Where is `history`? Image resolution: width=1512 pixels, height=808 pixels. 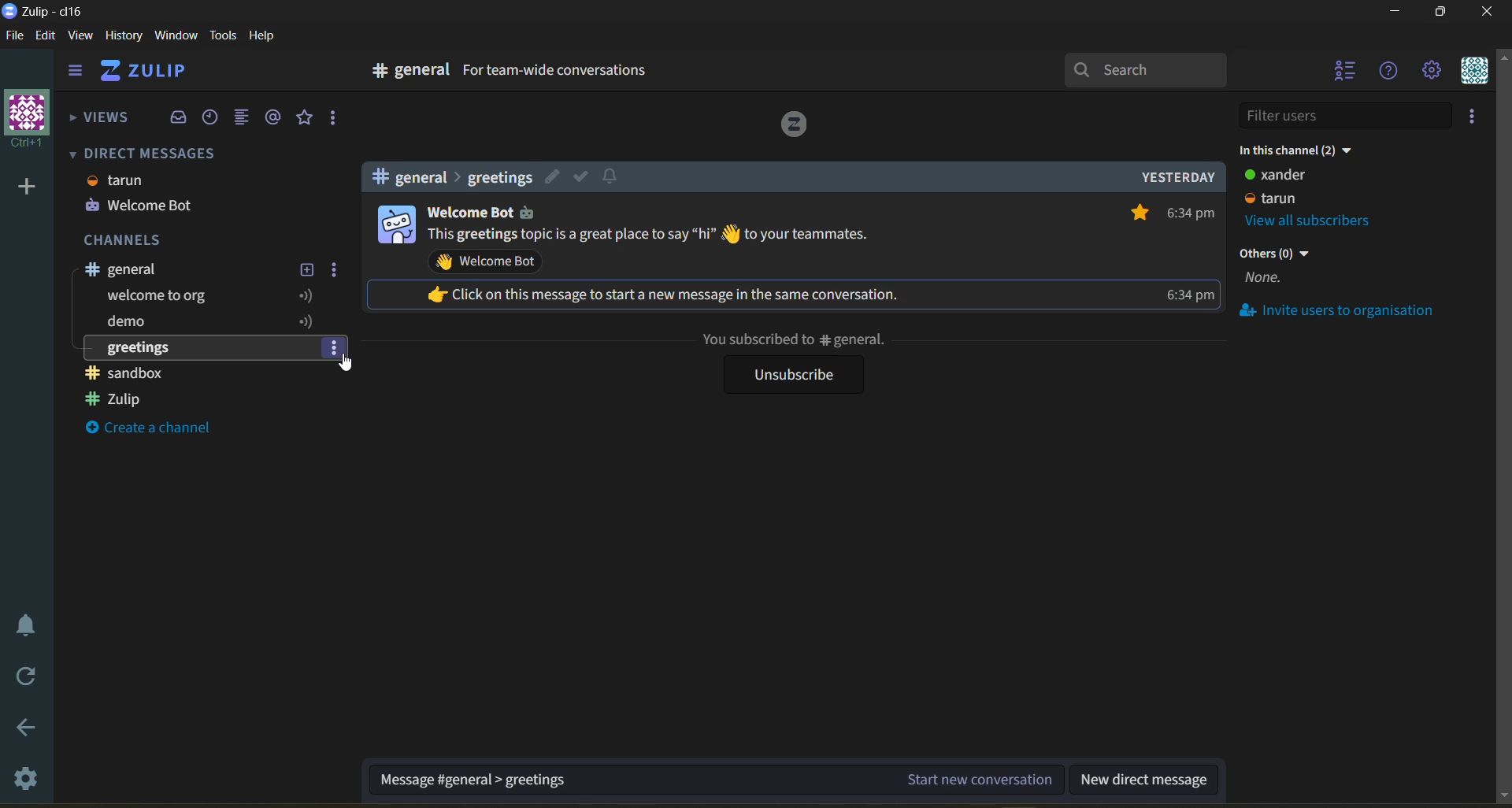
history is located at coordinates (125, 38).